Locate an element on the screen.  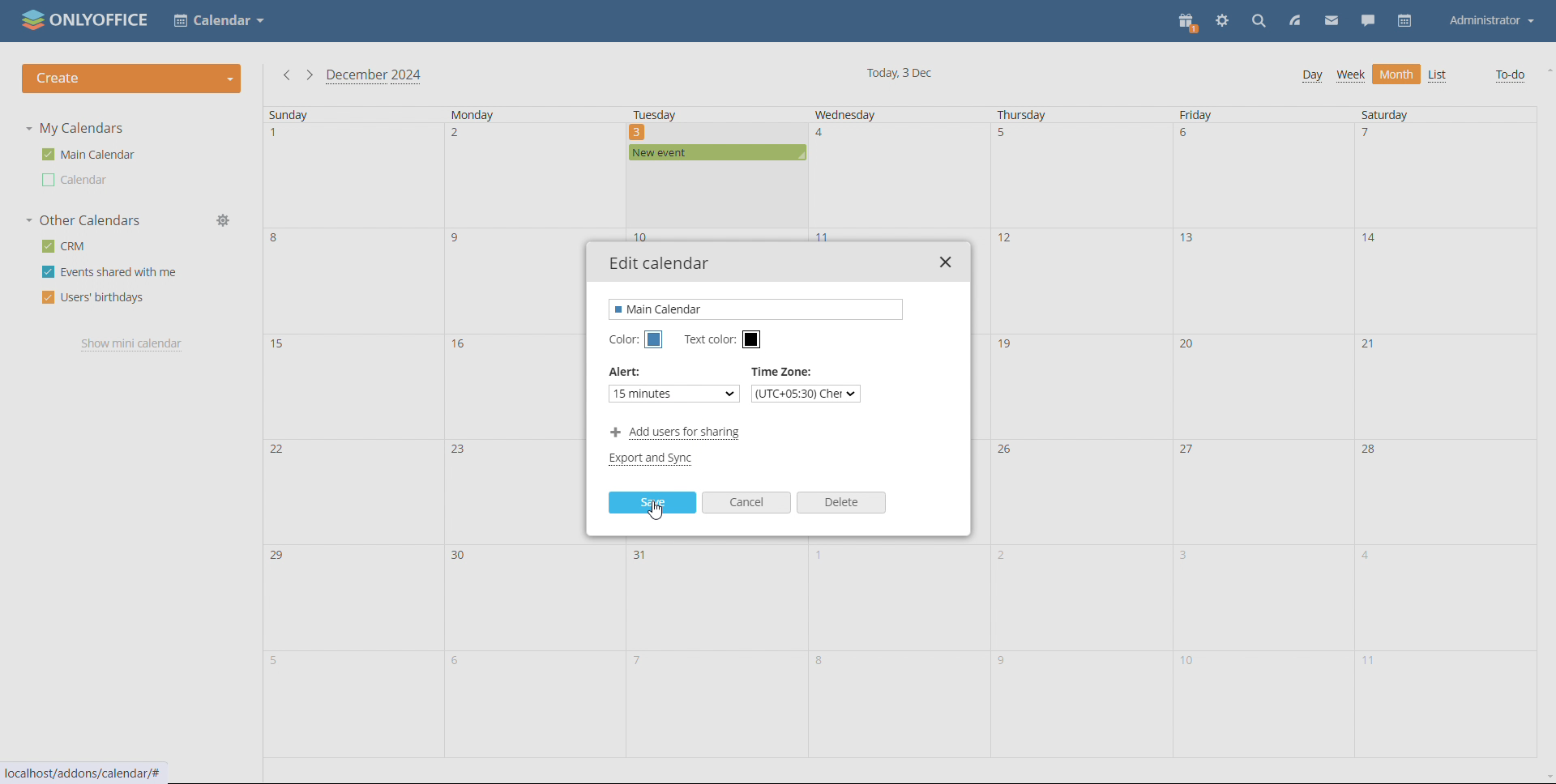
delete is located at coordinates (841, 502).